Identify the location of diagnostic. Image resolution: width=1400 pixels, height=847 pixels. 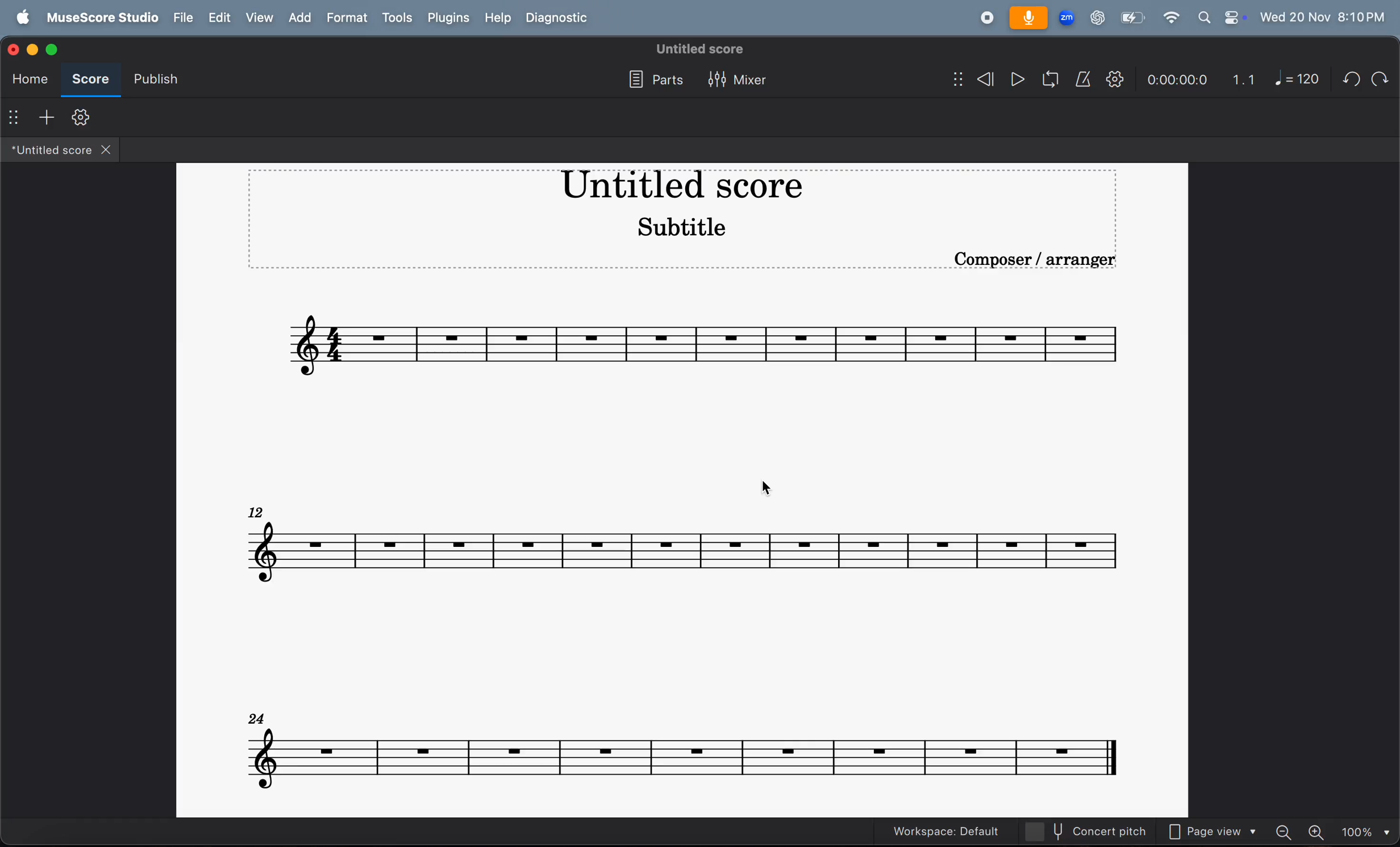
(559, 21).